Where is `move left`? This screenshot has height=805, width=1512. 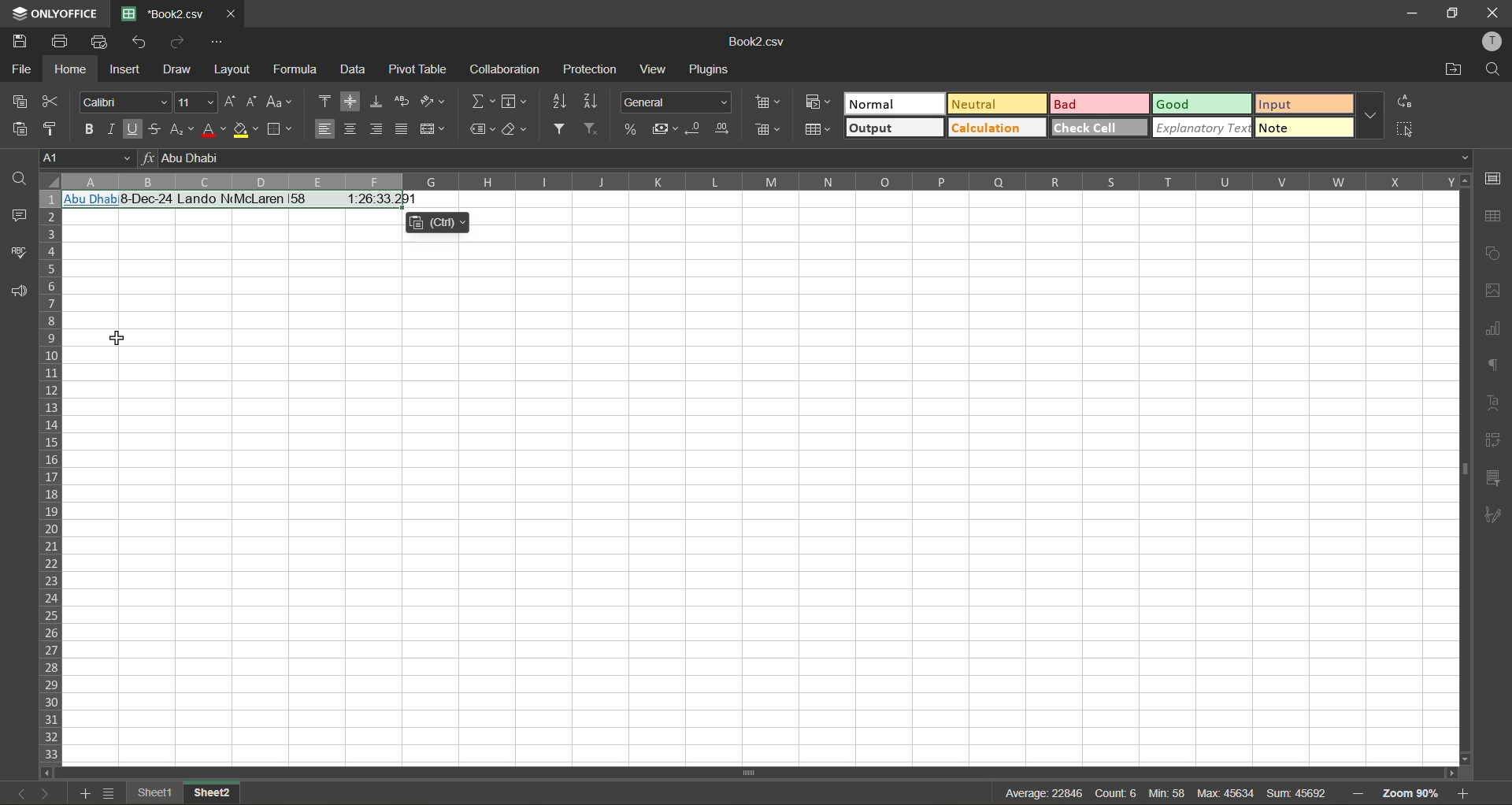
move left is located at coordinates (47, 773).